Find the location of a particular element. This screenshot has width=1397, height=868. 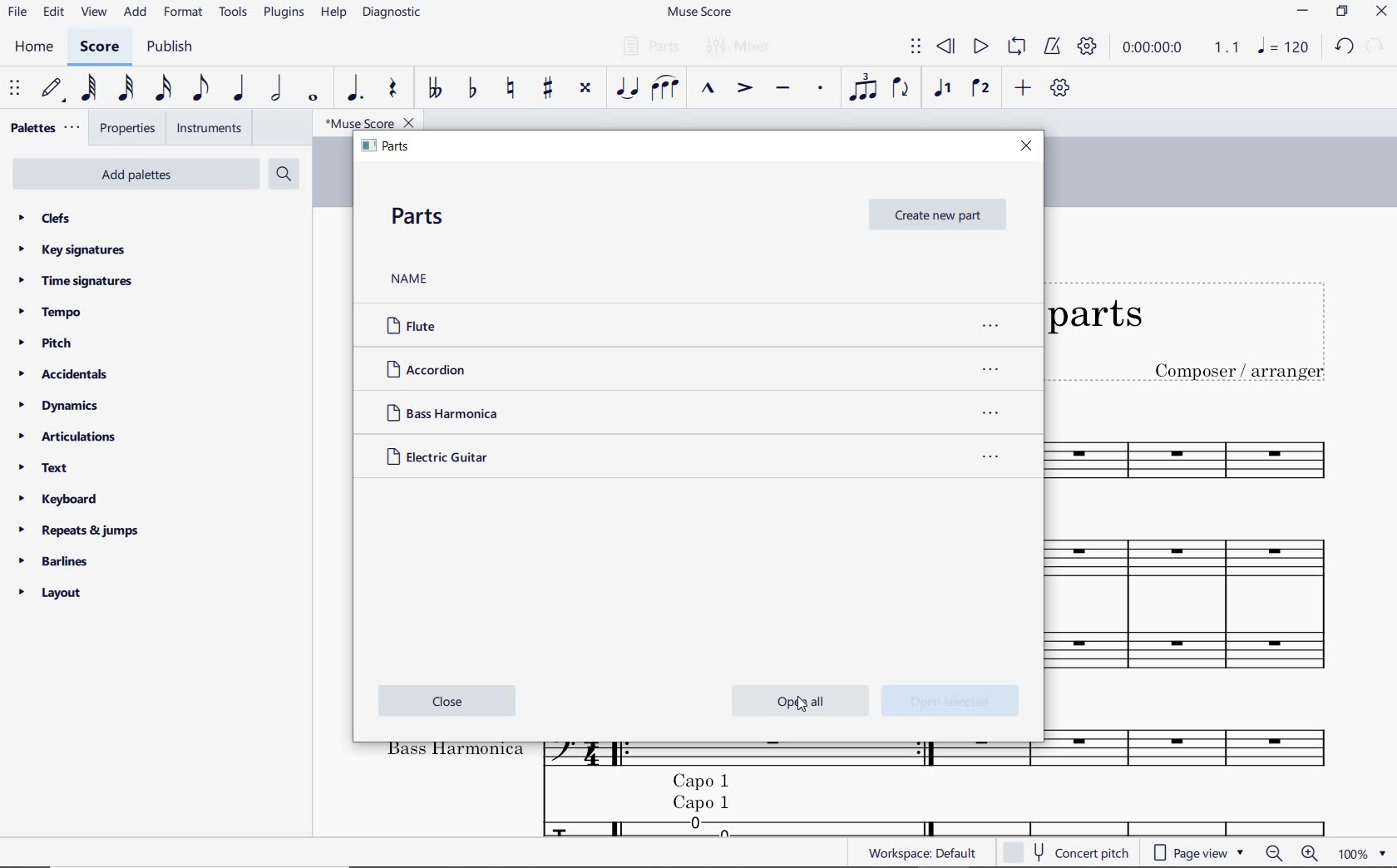

add is located at coordinates (135, 12).